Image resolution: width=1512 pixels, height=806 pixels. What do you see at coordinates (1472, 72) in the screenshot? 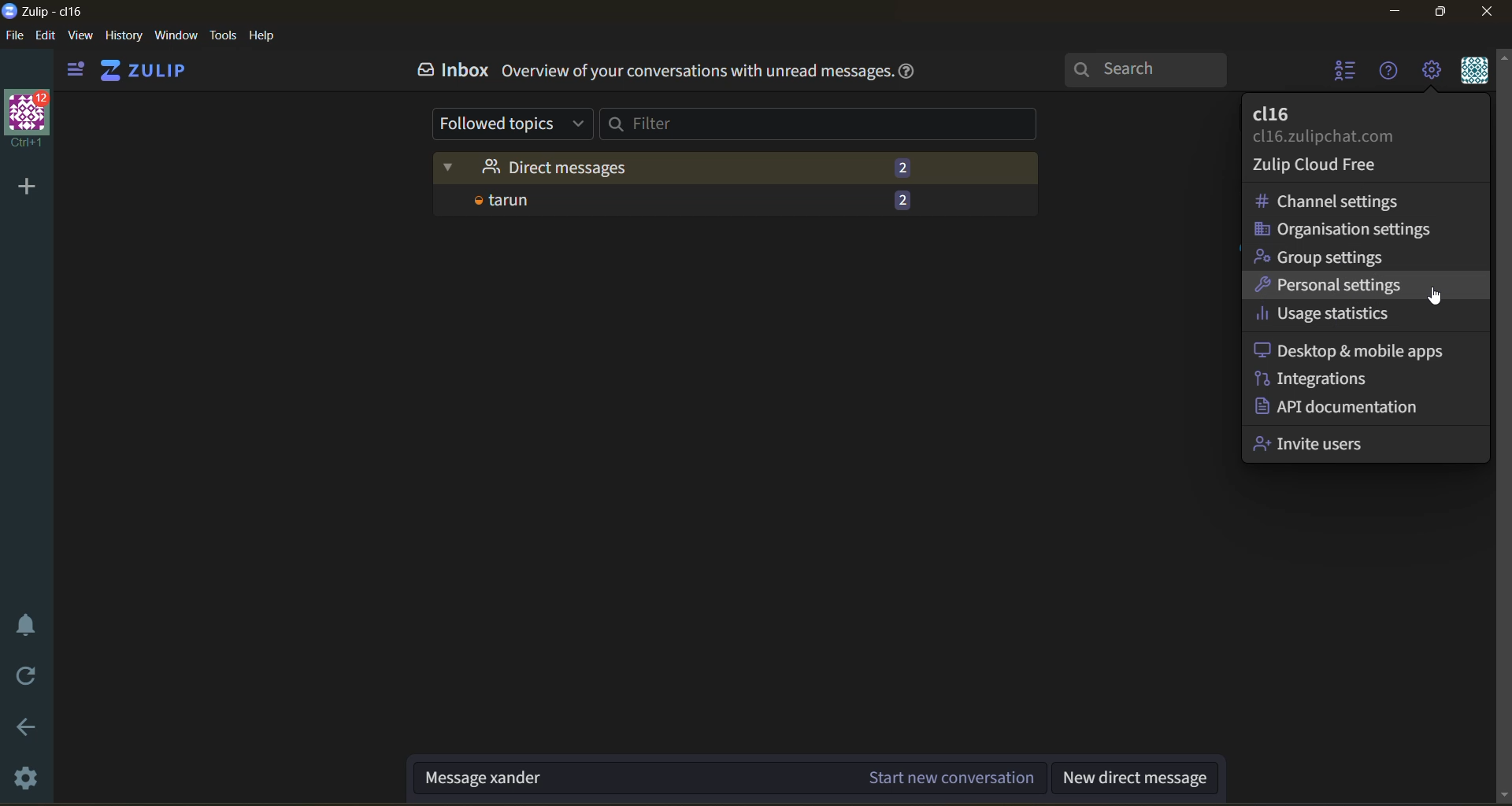
I see `personal menu` at bounding box center [1472, 72].